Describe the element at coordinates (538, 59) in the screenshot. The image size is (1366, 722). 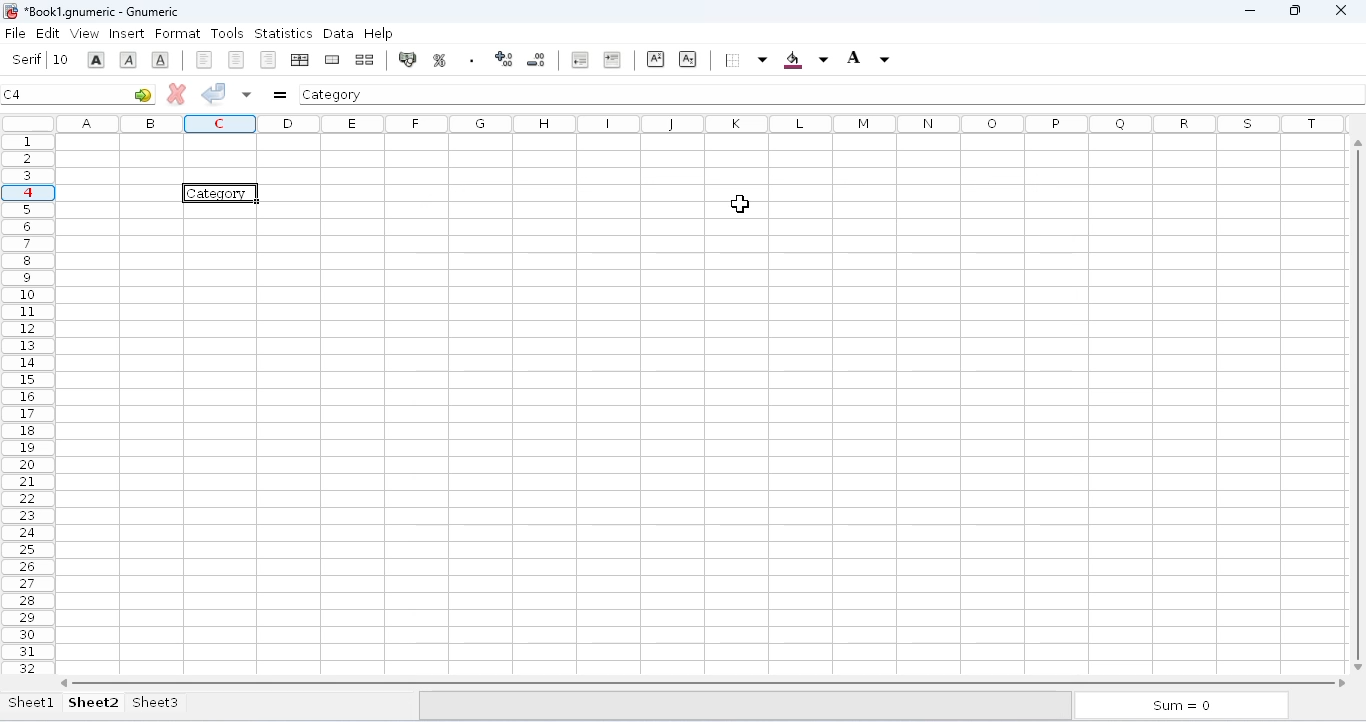
I see `increase the number of decimals displayed` at that location.